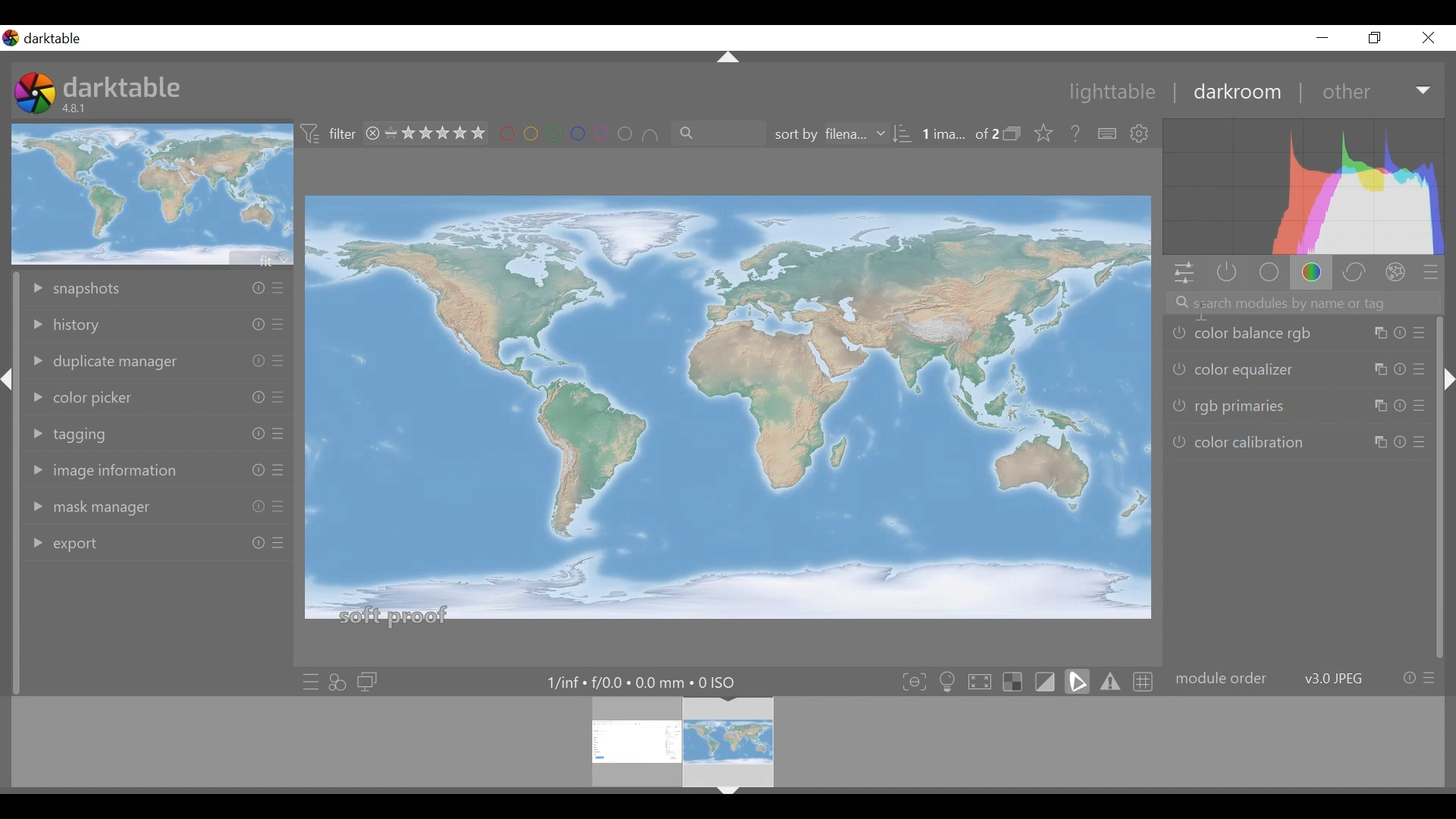 Image resolution: width=1456 pixels, height=819 pixels. What do you see at coordinates (1045, 134) in the screenshot?
I see `lick to change the type of overlays shown on thumbnails` at bounding box center [1045, 134].